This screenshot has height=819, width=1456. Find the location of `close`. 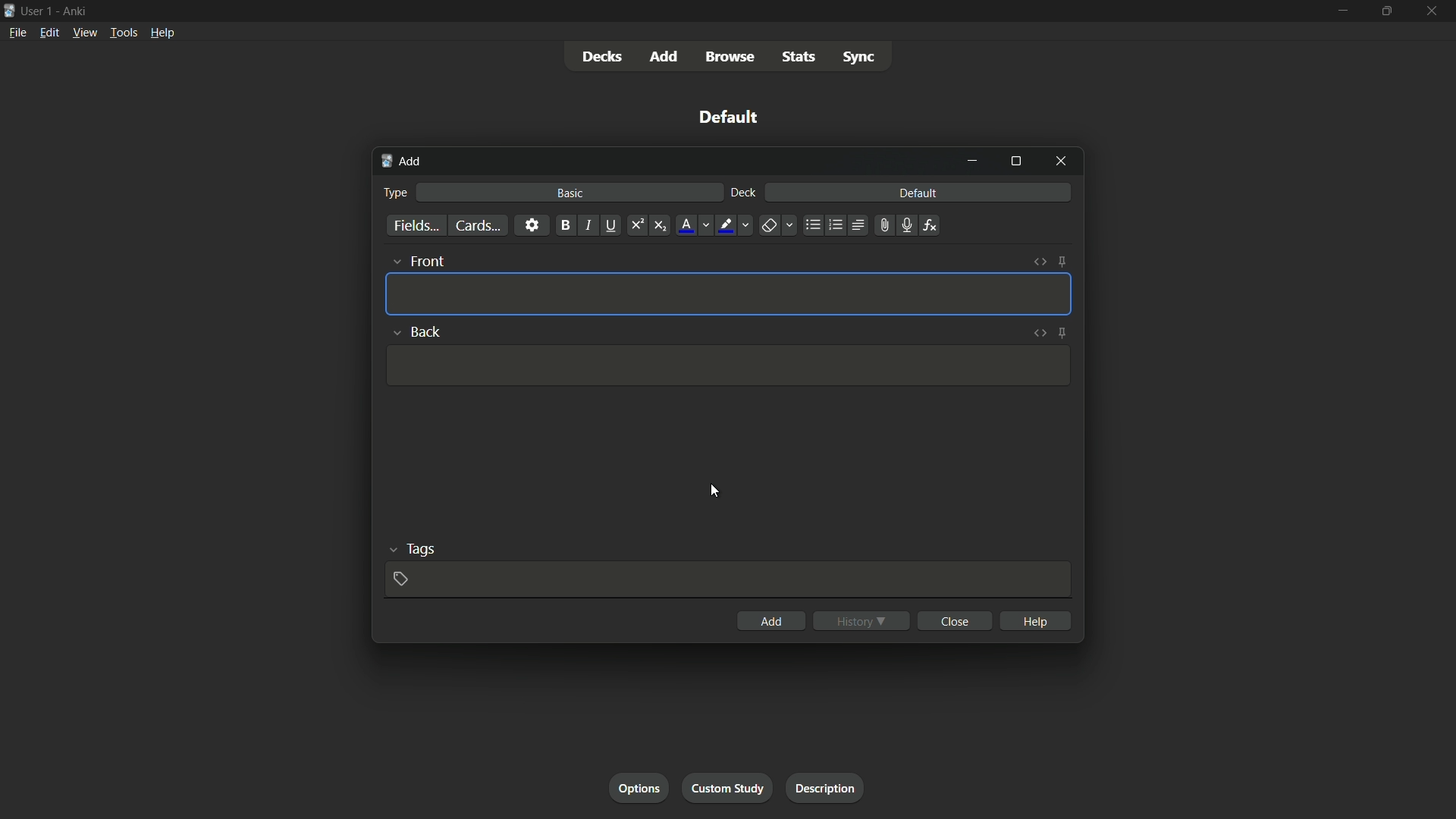

close is located at coordinates (955, 620).